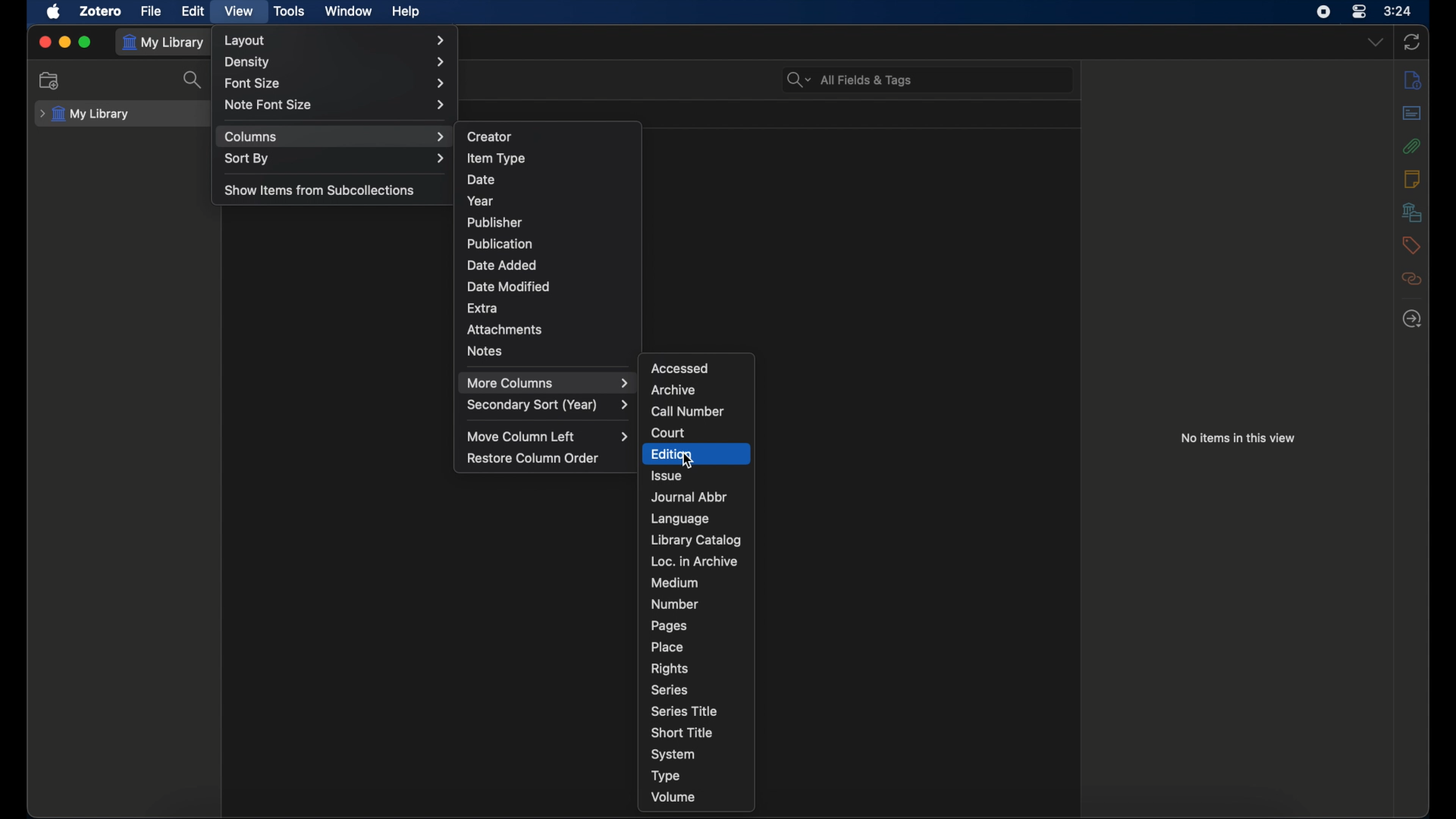  I want to click on sync, so click(1412, 42).